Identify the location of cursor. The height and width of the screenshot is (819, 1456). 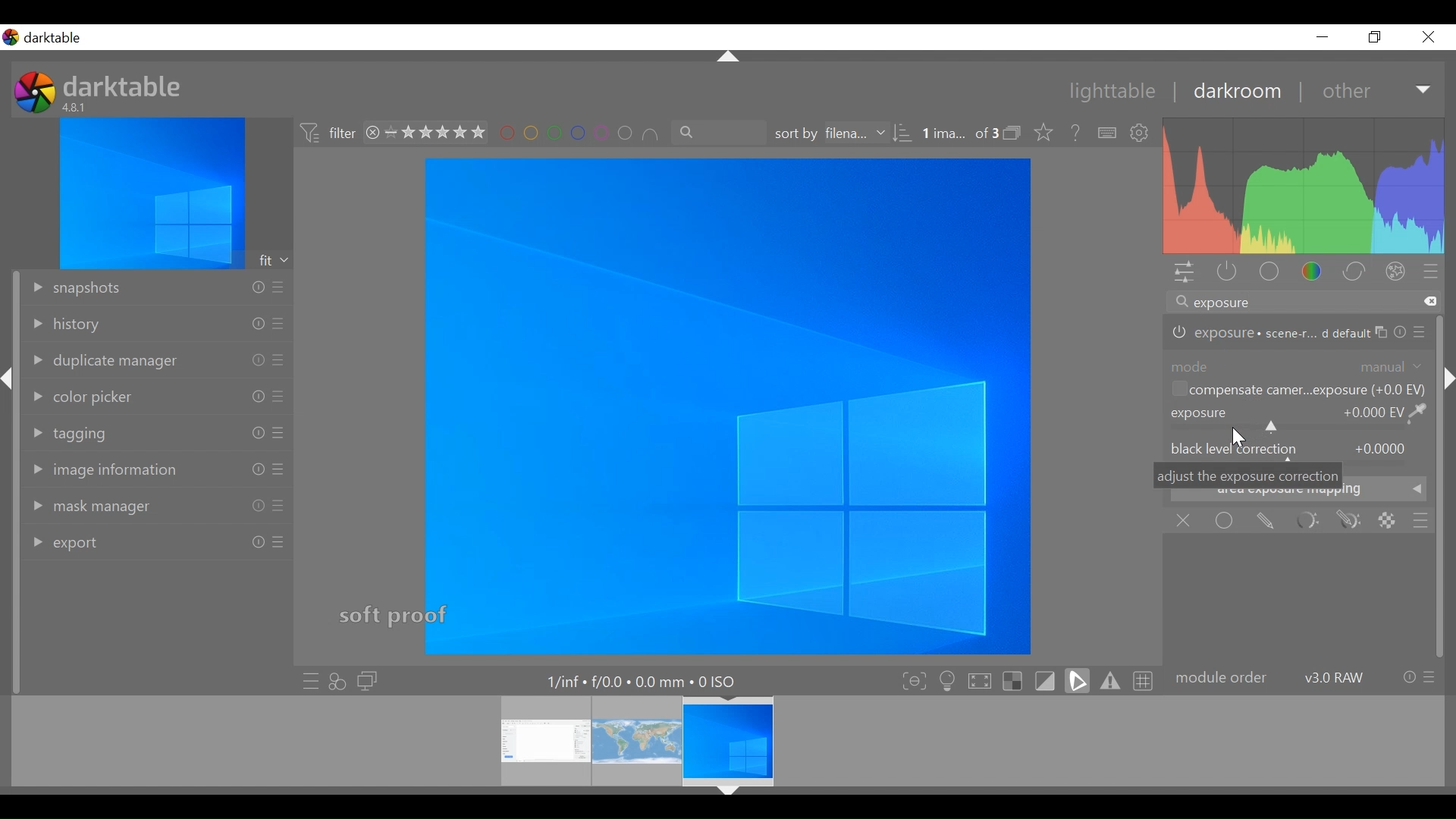
(1241, 438).